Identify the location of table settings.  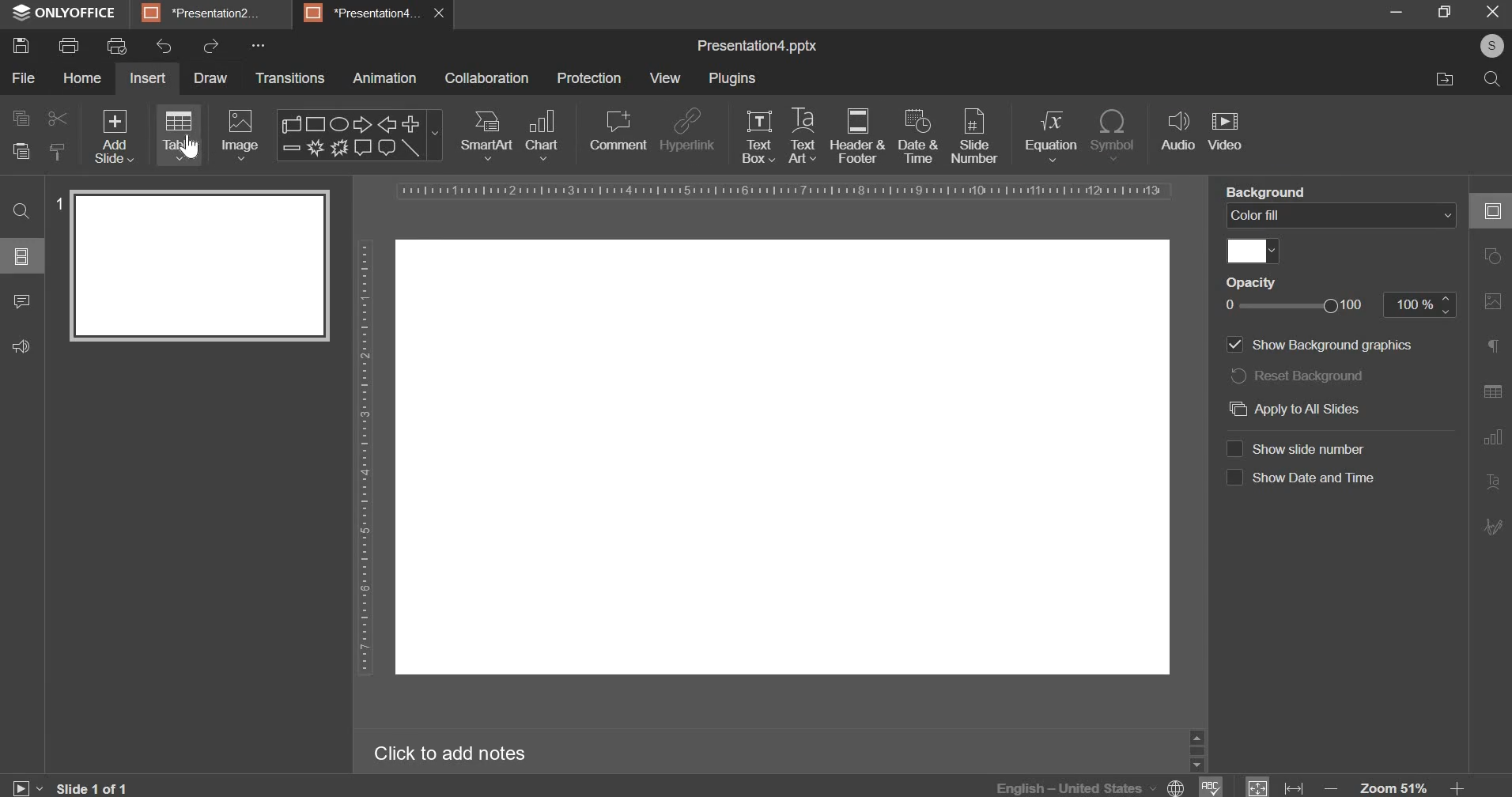
(1496, 392).